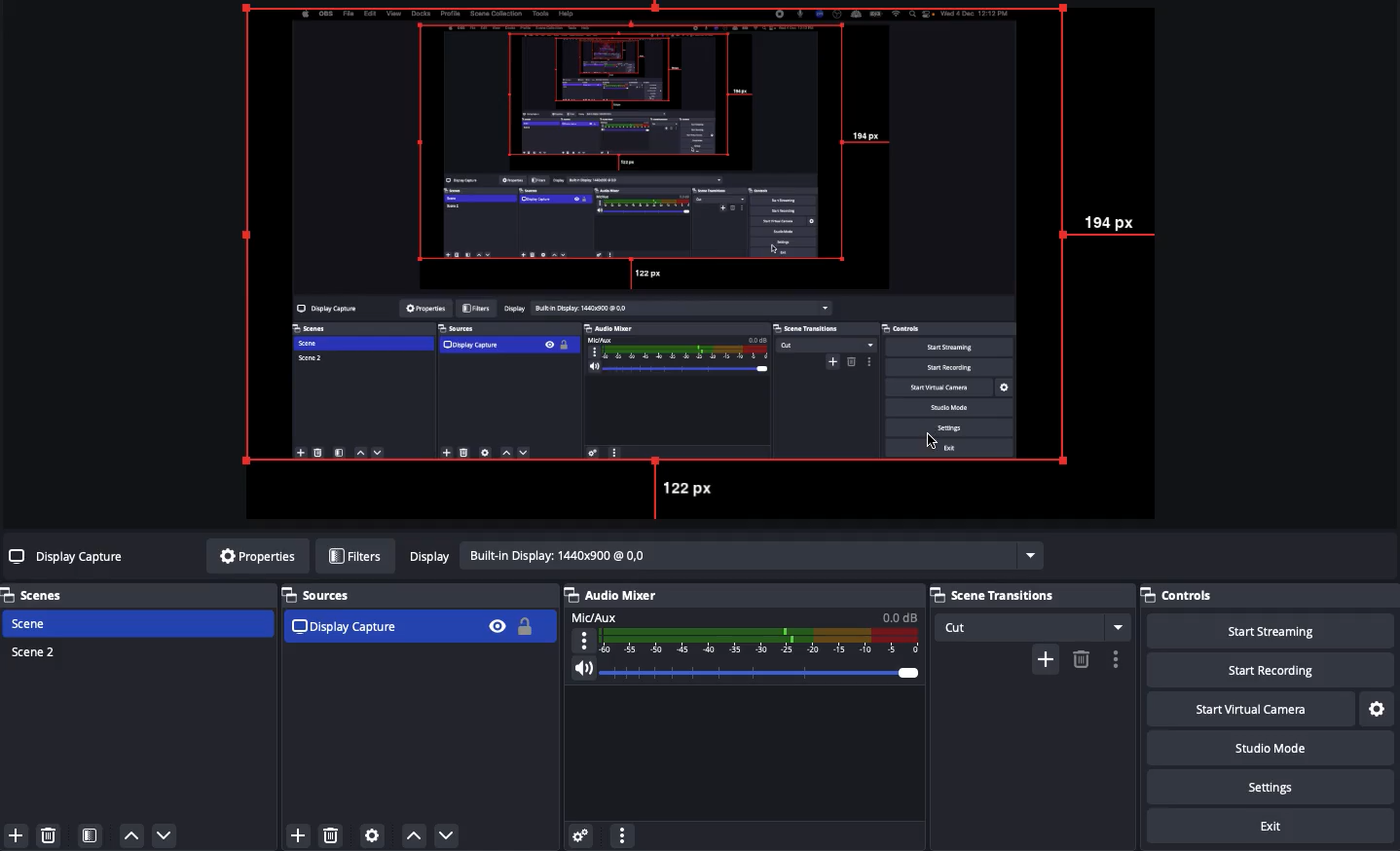  I want to click on Scene transitions, so click(1030, 611).